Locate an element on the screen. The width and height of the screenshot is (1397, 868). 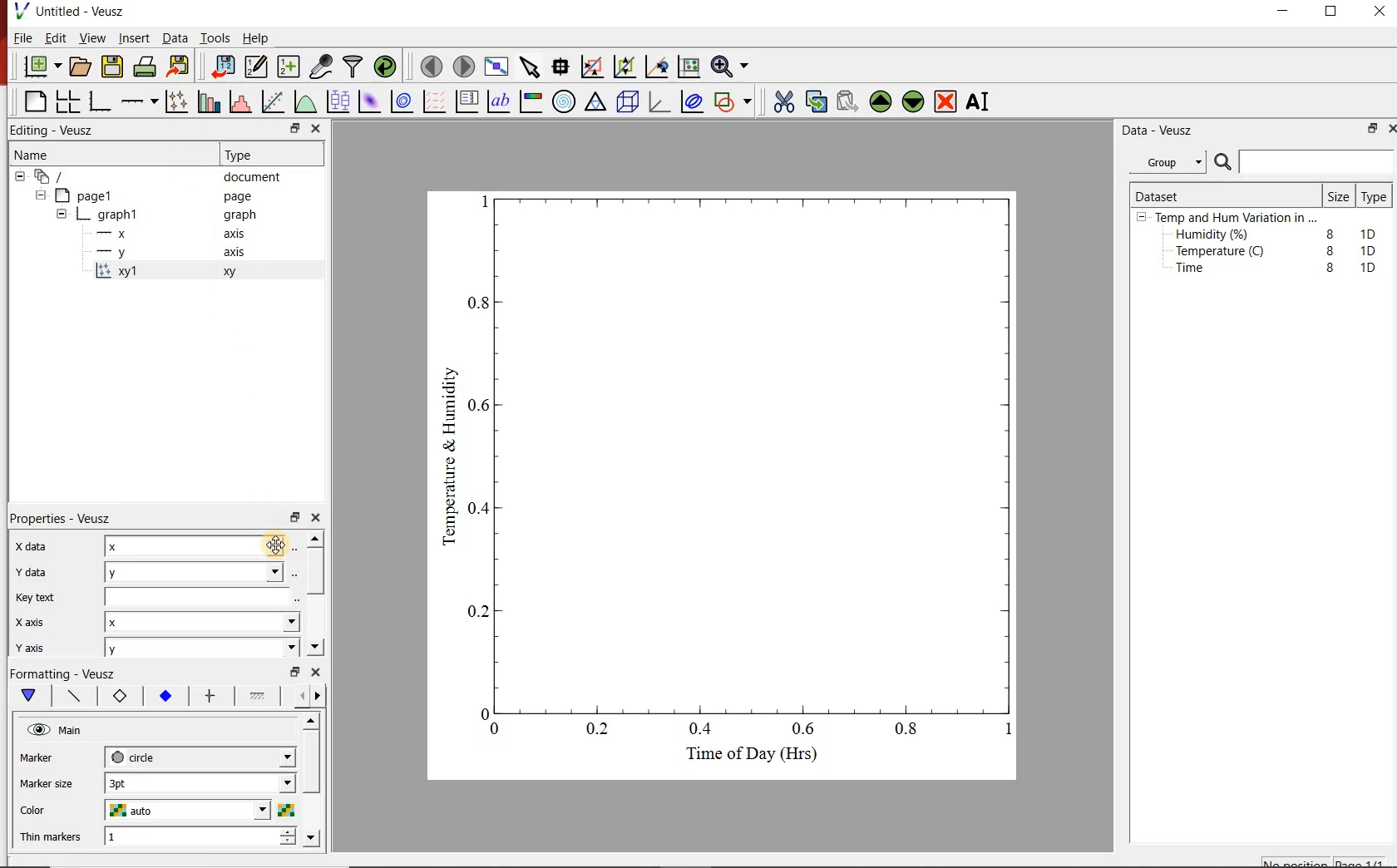
x is located at coordinates (138, 623).